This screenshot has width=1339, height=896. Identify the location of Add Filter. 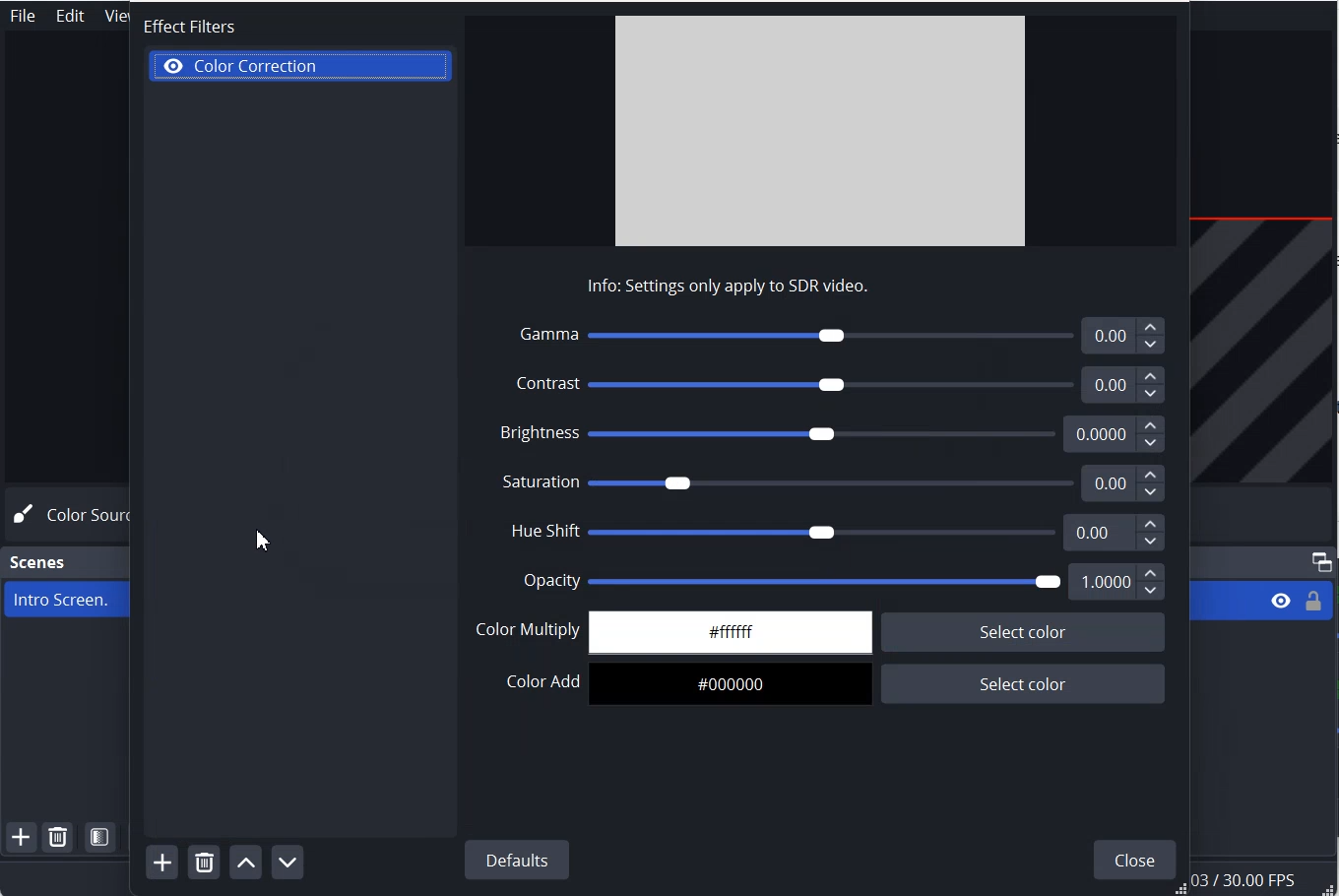
(161, 863).